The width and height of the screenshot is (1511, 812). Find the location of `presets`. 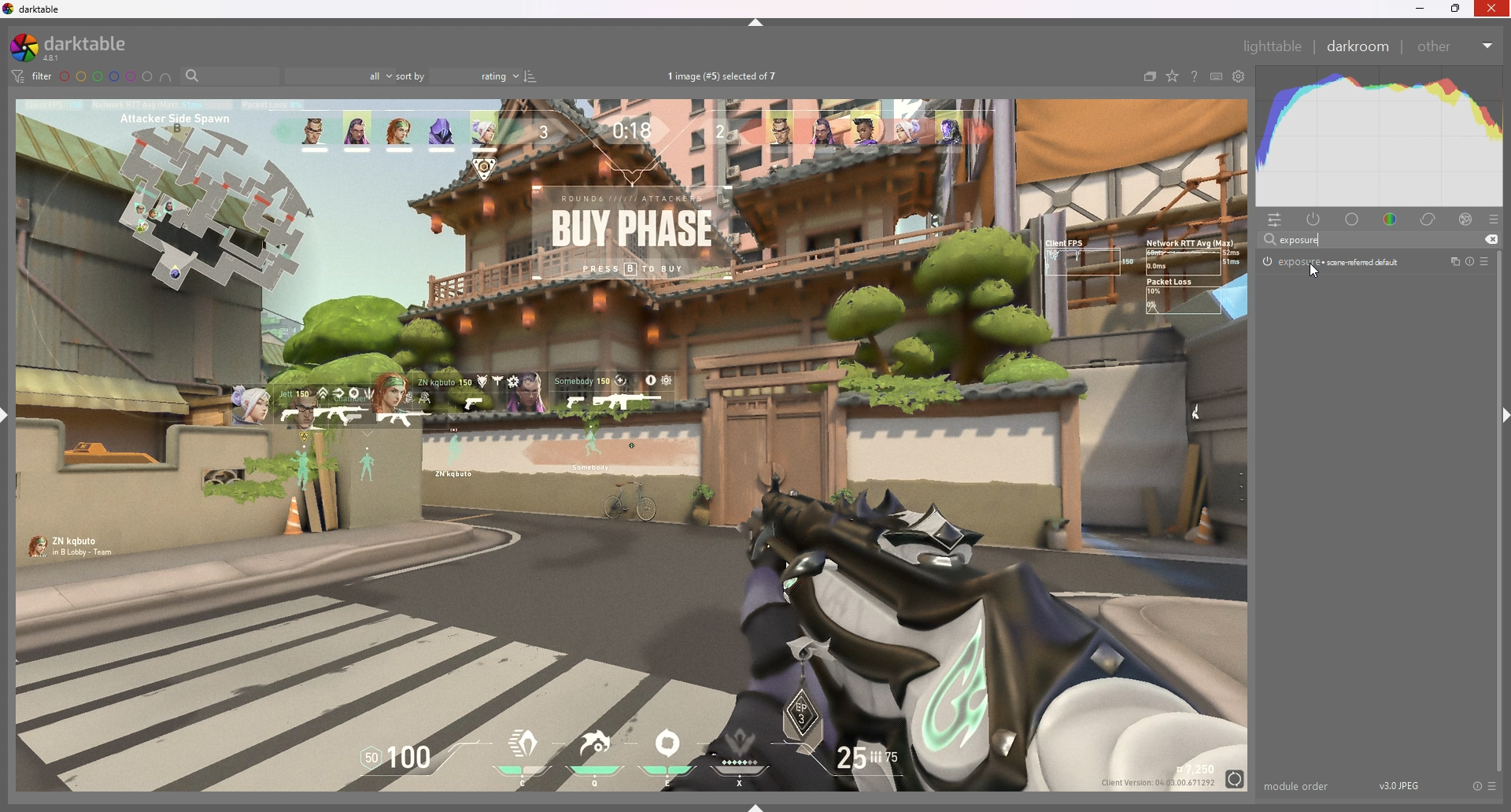

presets is located at coordinates (1493, 220).